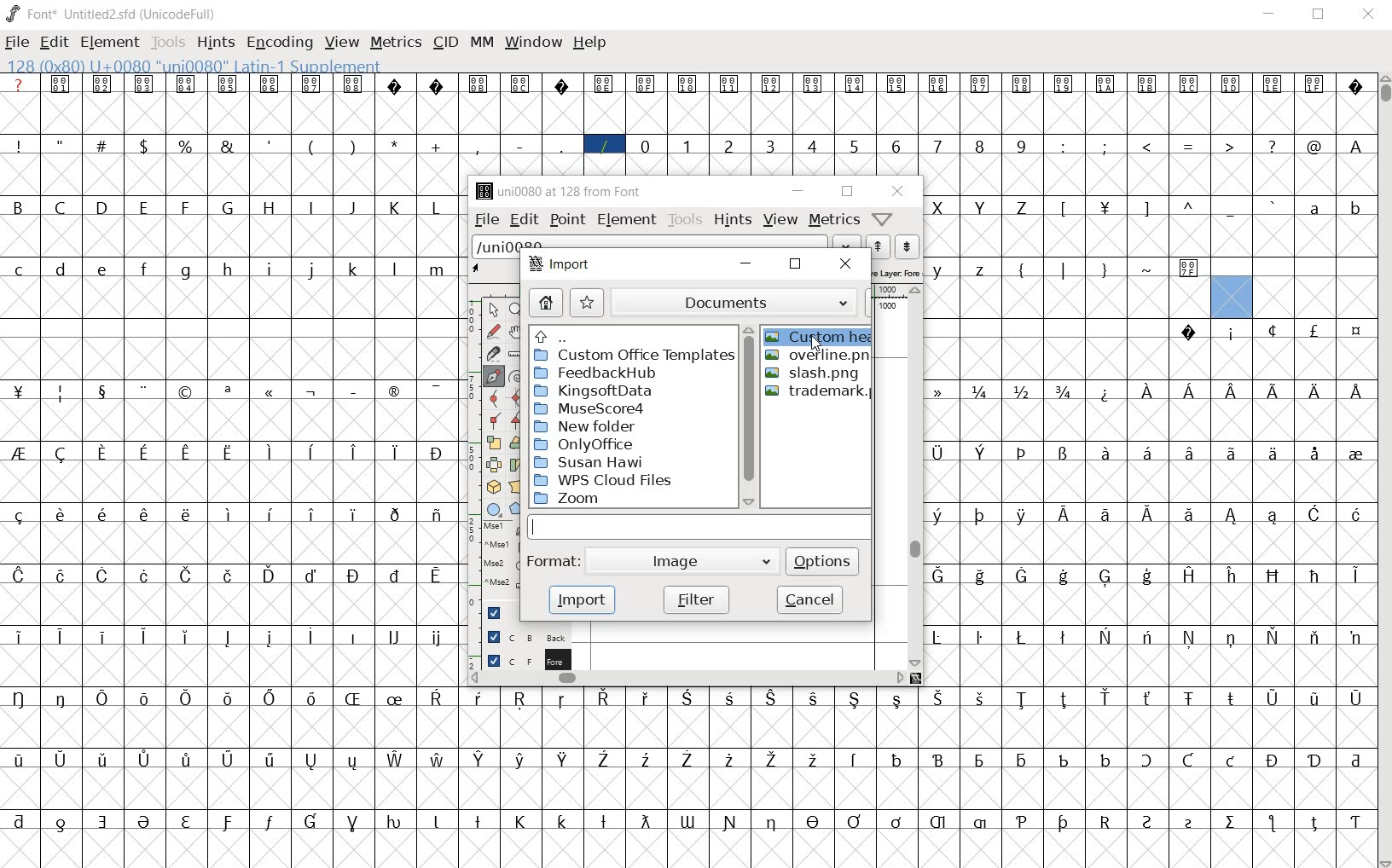 Image resolution: width=1392 pixels, height=868 pixels. Describe the element at coordinates (937, 576) in the screenshot. I see `glyph` at that location.